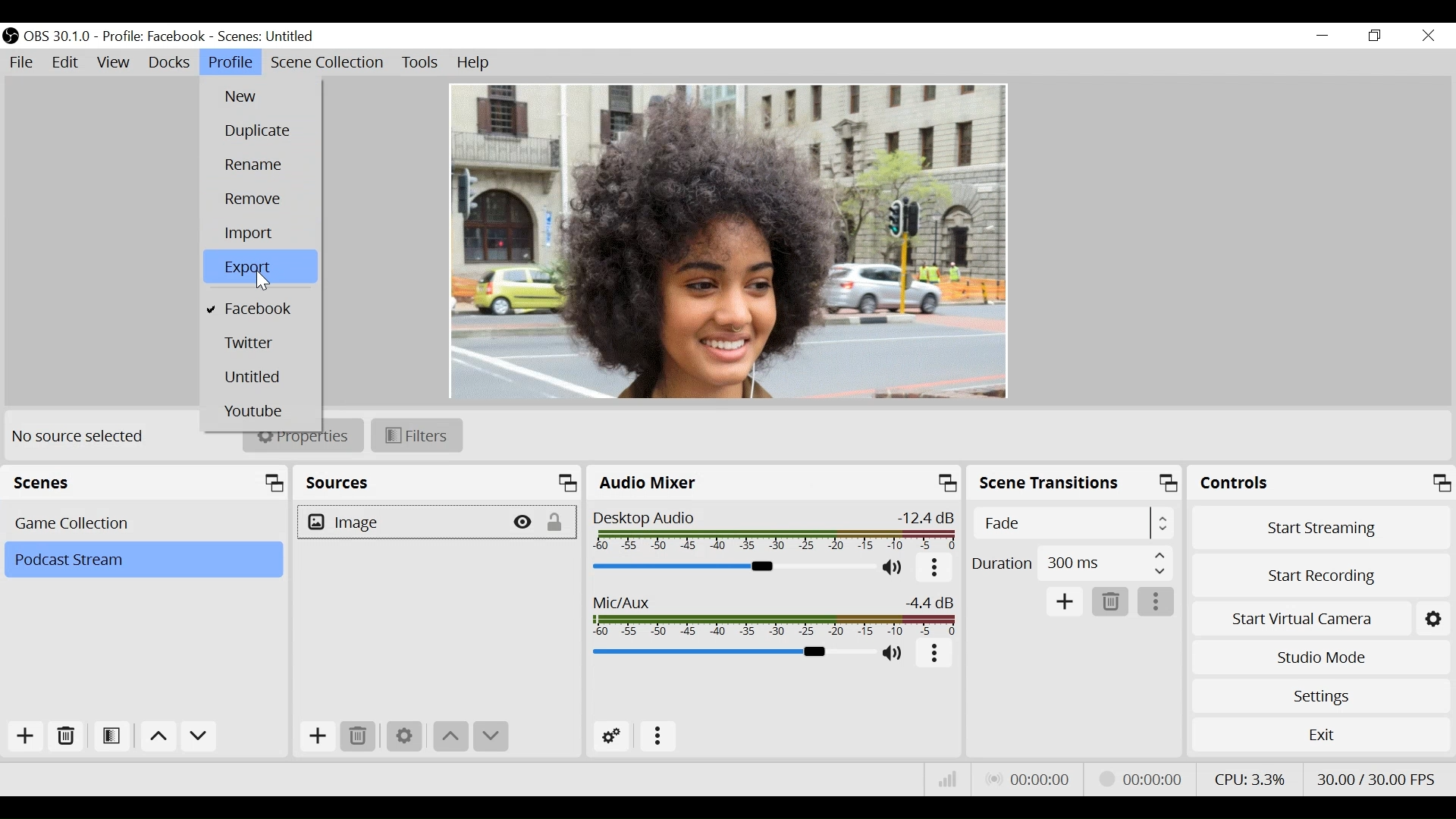 This screenshot has width=1456, height=819. Describe the element at coordinates (1112, 602) in the screenshot. I see `Remove` at that location.